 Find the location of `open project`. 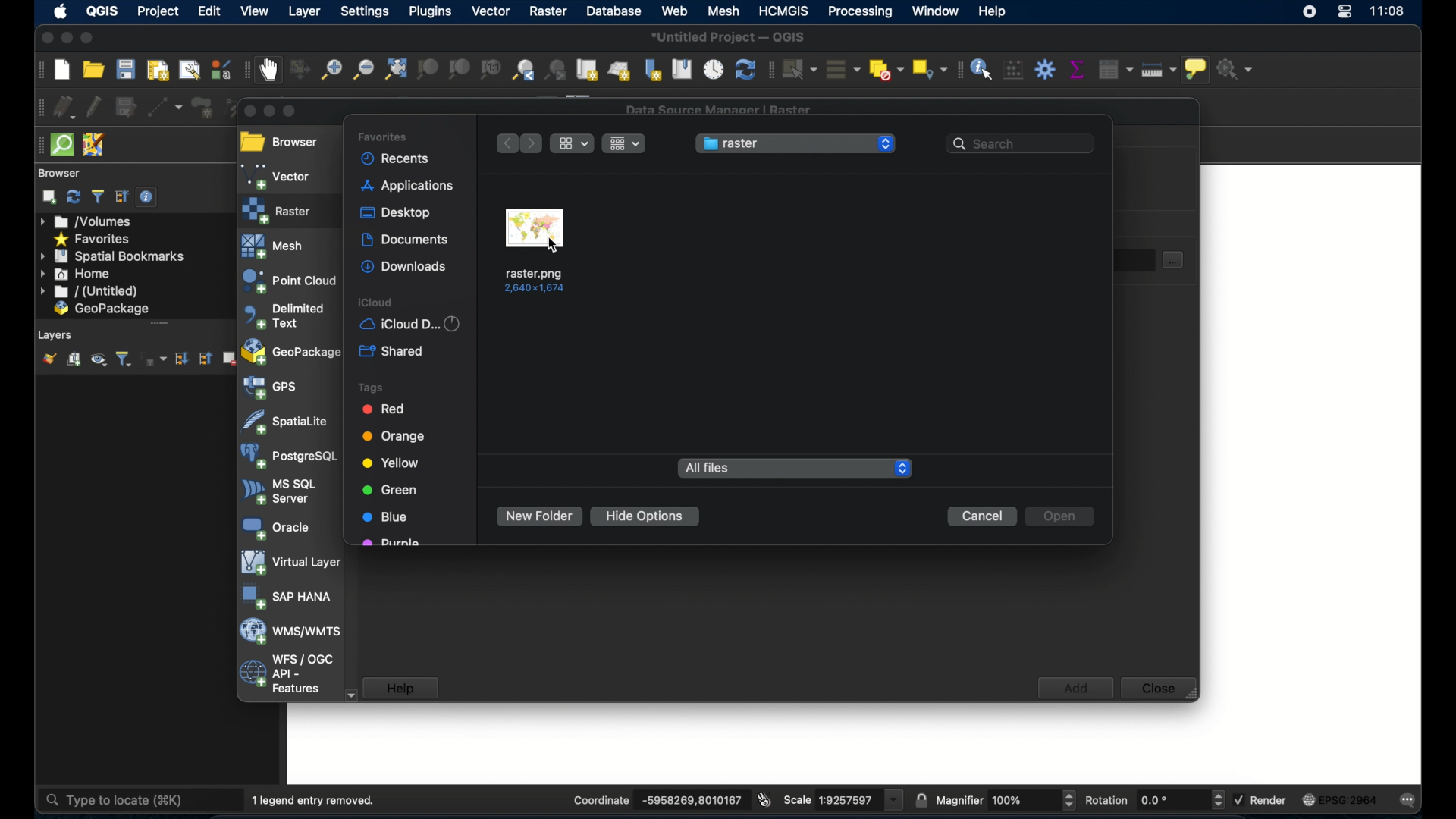

open project is located at coordinates (95, 69).